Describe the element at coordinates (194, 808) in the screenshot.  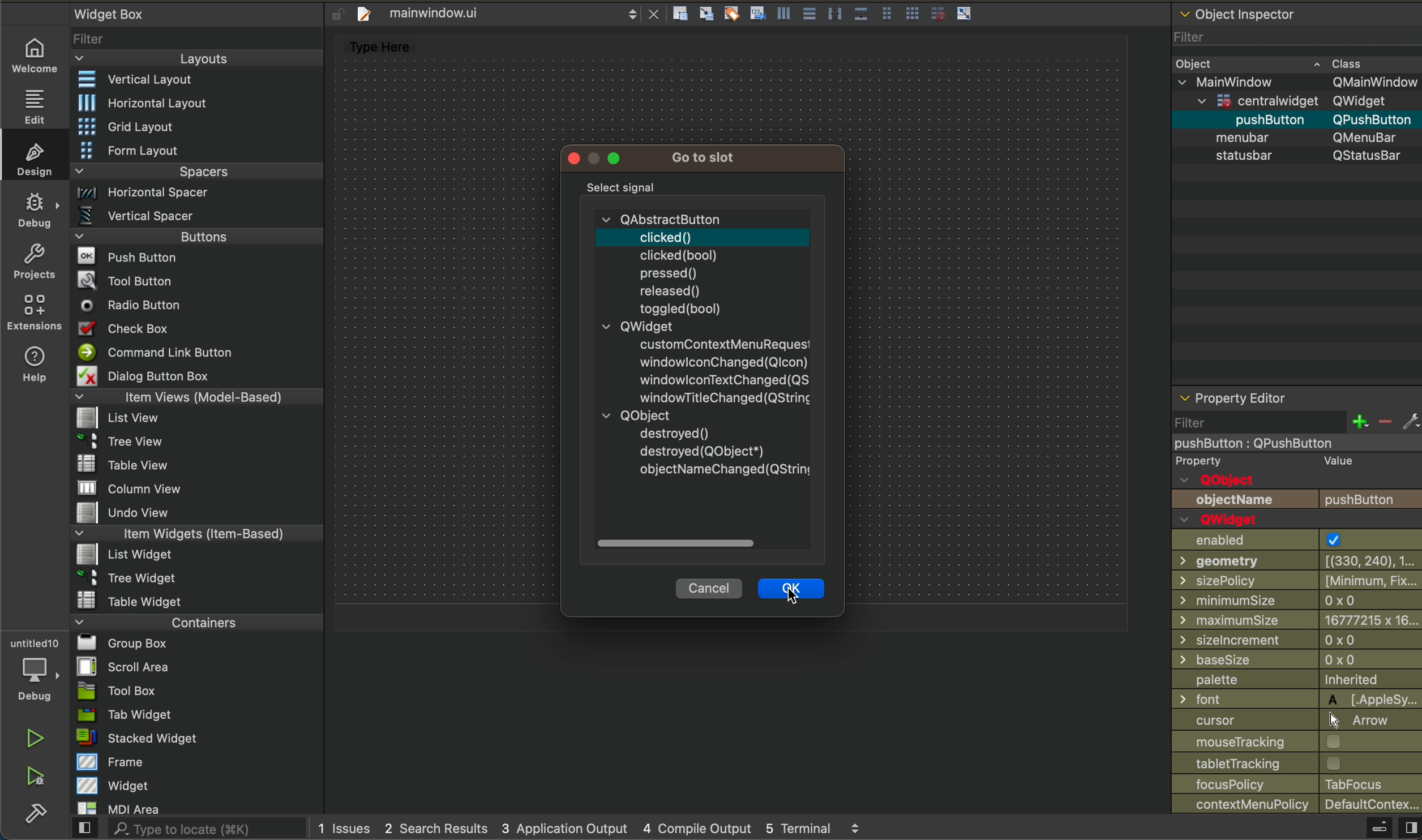
I see `mdi area` at that location.